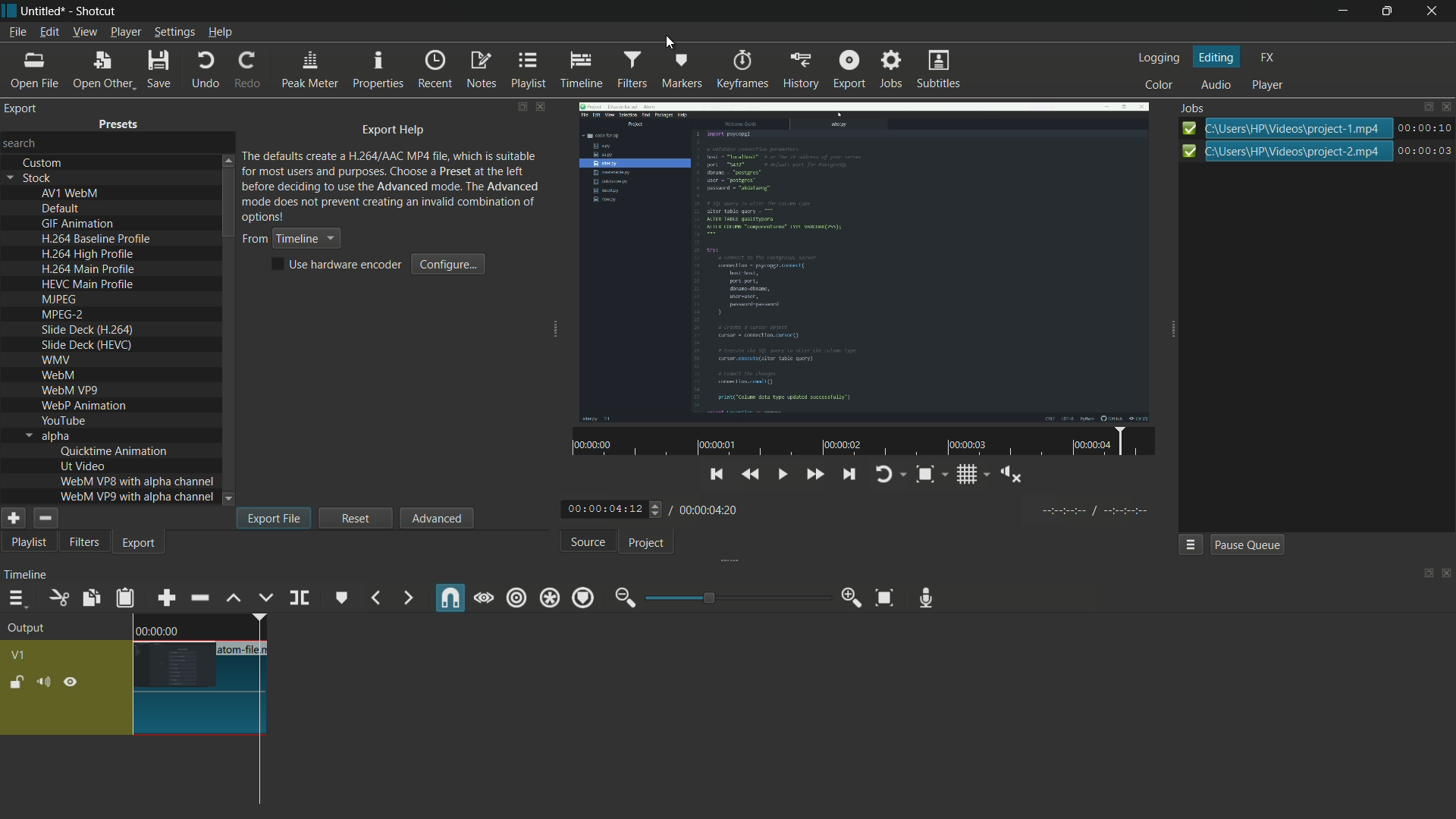 Image resolution: width=1456 pixels, height=819 pixels. I want to click on adjustment bar, so click(736, 598).